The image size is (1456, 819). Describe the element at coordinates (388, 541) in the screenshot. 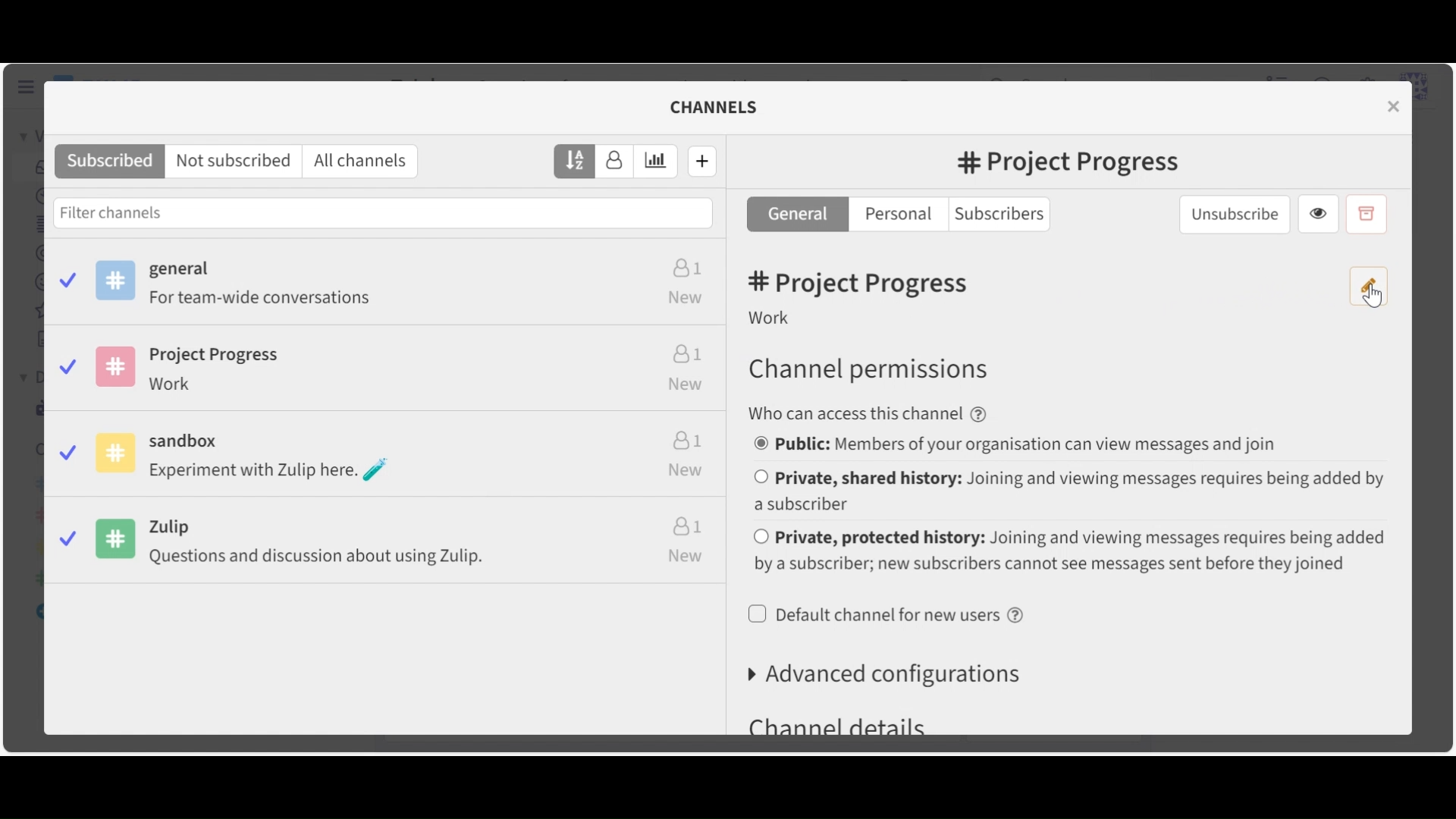

I see `zulip` at that location.